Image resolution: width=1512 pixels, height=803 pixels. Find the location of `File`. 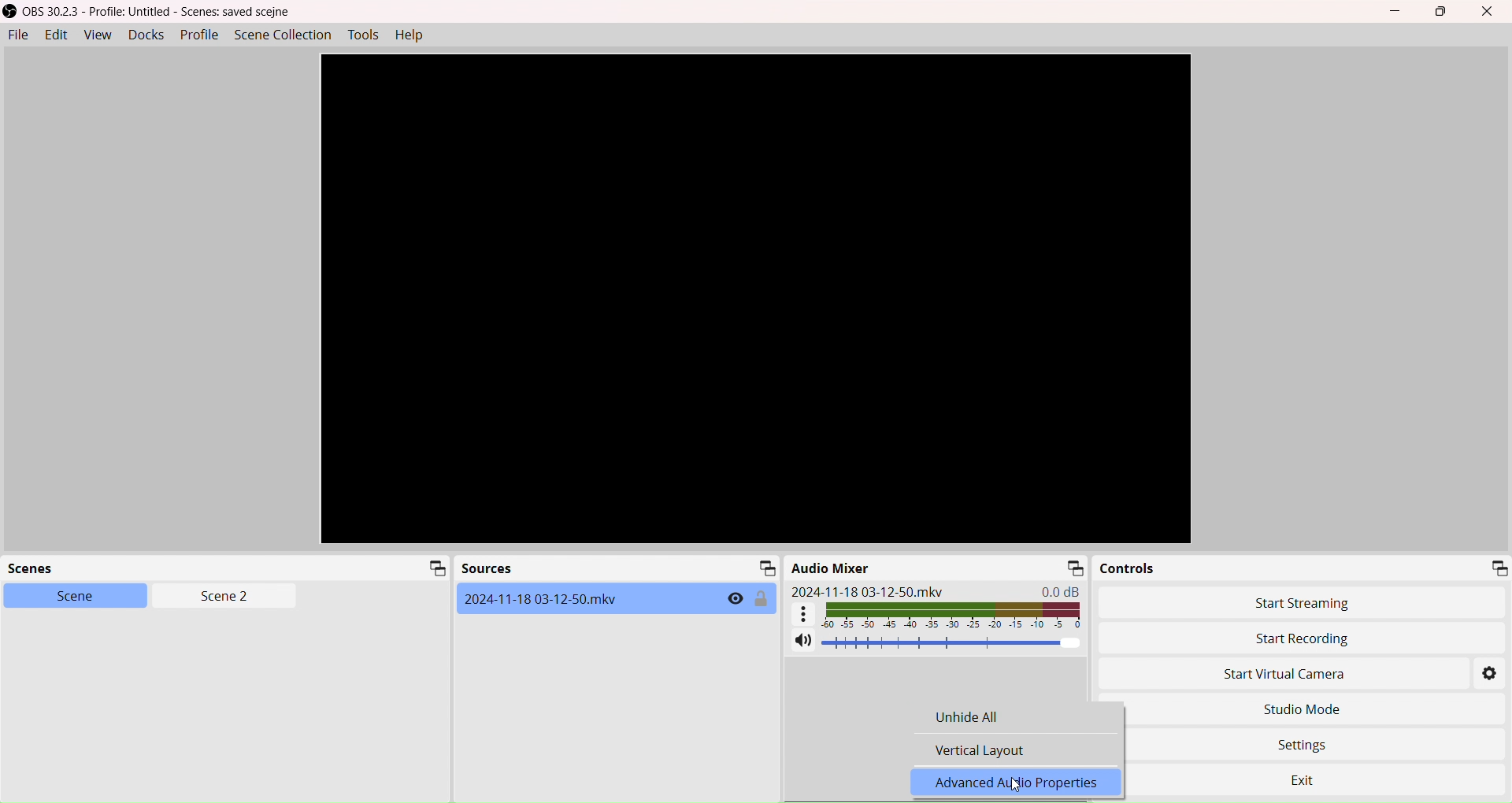

File is located at coordinates (17, 35).